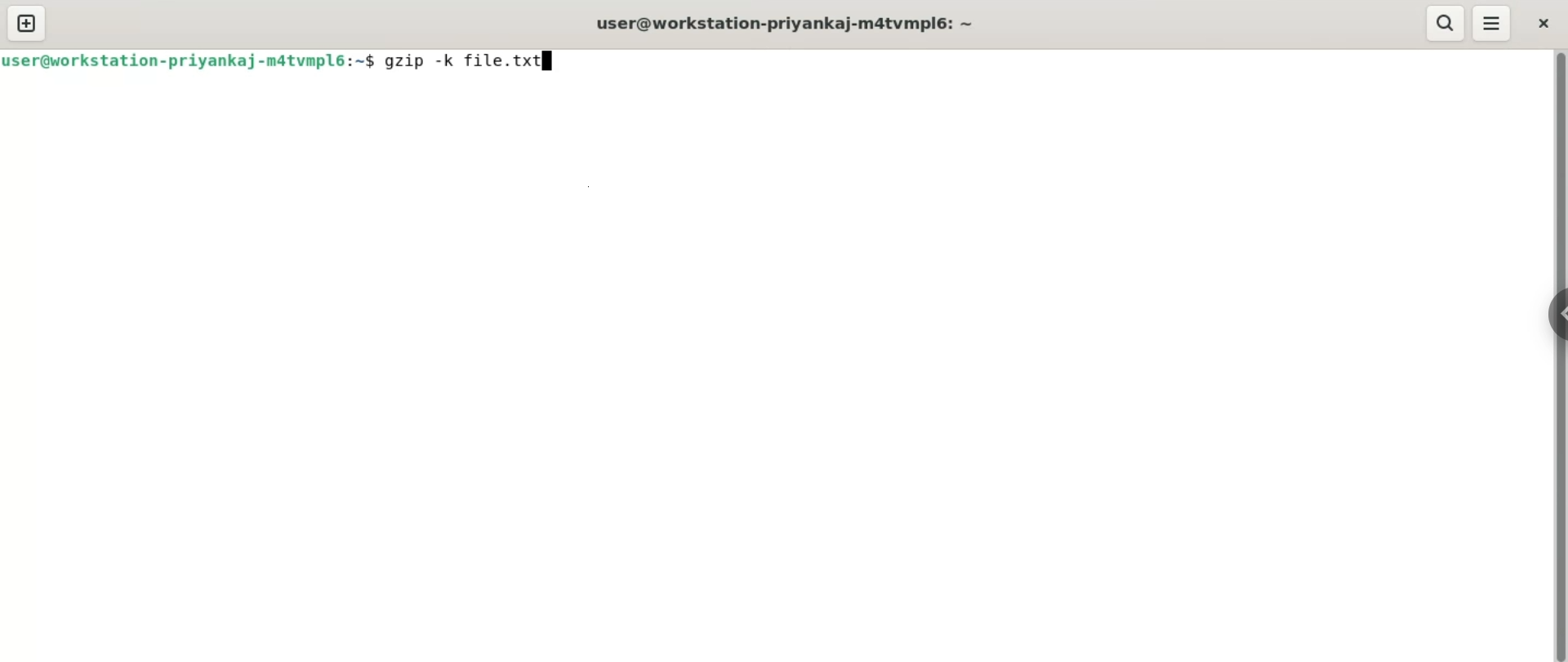 The height and width of the screenshot is (662, 1568). I want to click on  gzip -k file.txt, so click(475, 63).